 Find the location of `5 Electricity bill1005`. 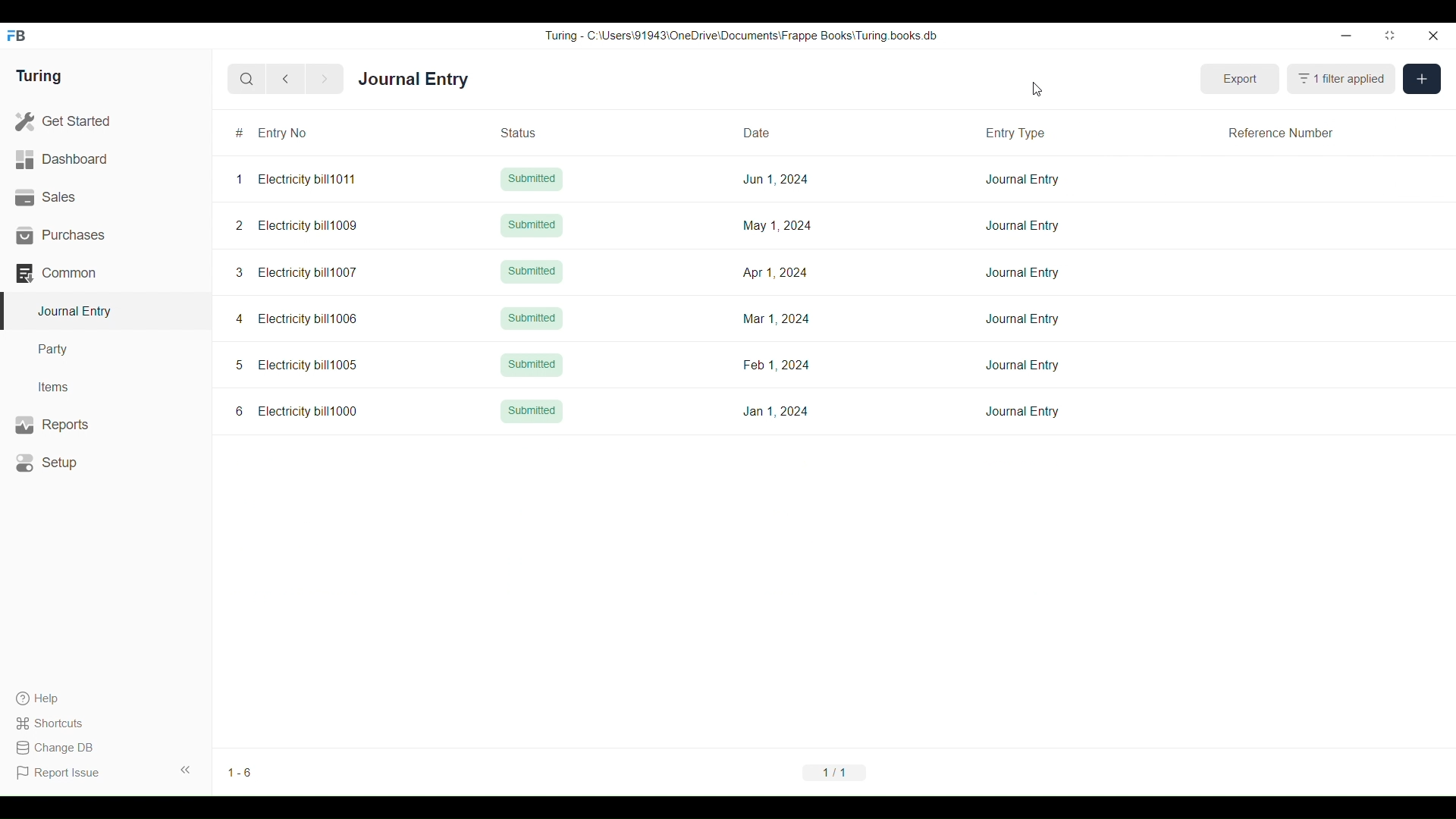

5 Electricity bill1005 is located at coordinates (297, 364).